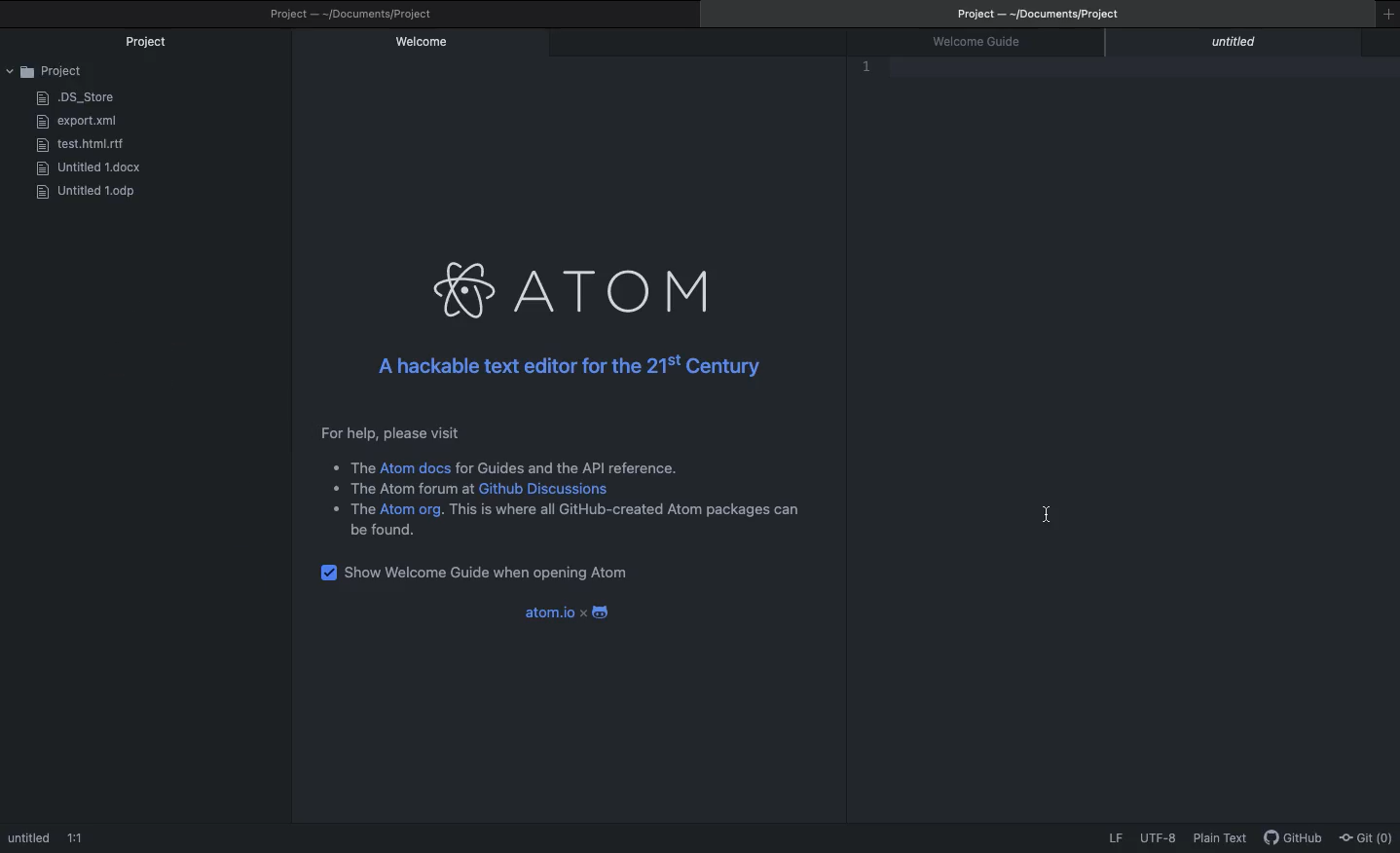 Image resolution: width=1400 pixels, height=853 pixels. I want to click on Project, so click(1049, 16).